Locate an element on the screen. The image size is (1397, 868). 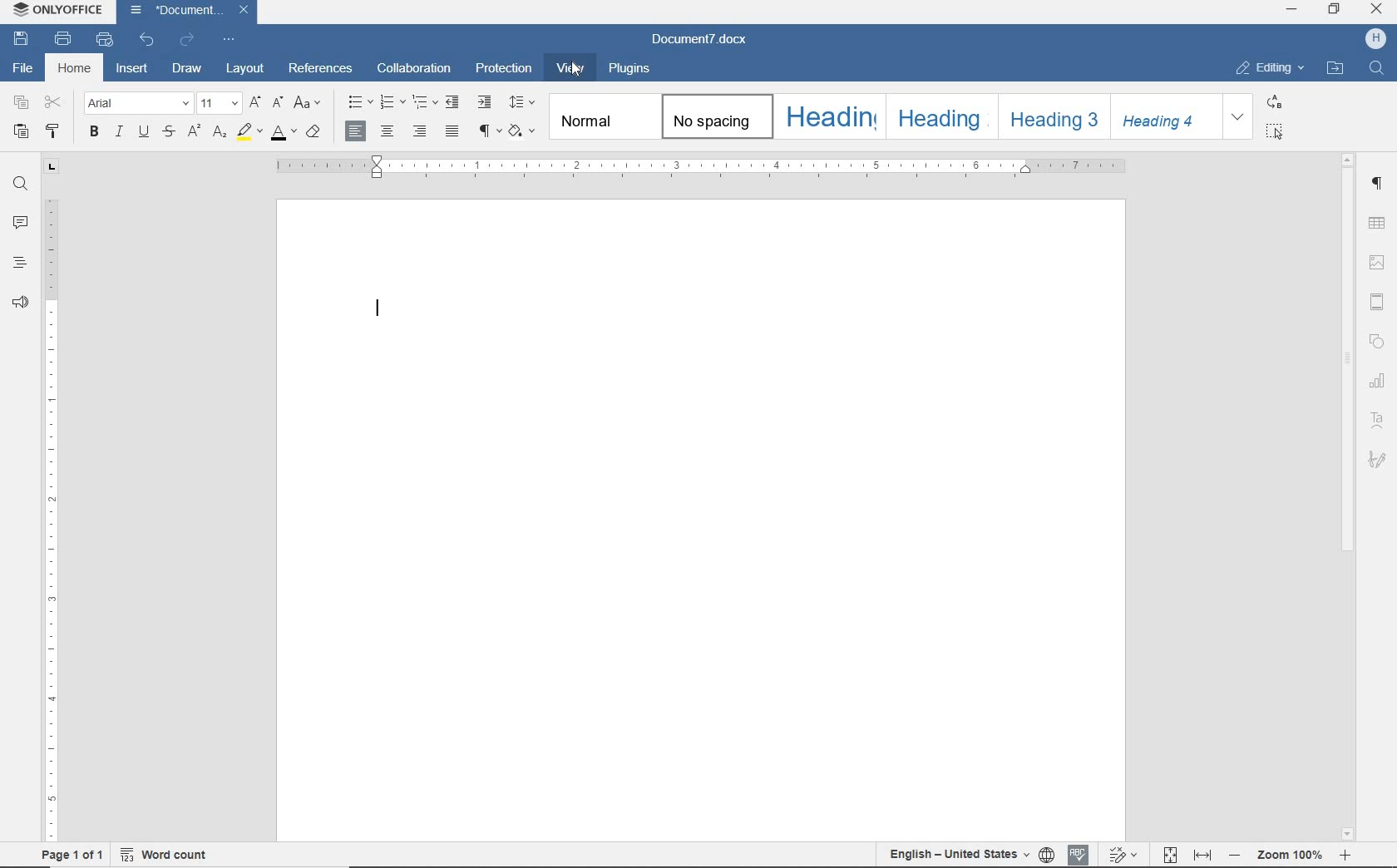
SELECT ALL is located at coordinates (1272, 131).